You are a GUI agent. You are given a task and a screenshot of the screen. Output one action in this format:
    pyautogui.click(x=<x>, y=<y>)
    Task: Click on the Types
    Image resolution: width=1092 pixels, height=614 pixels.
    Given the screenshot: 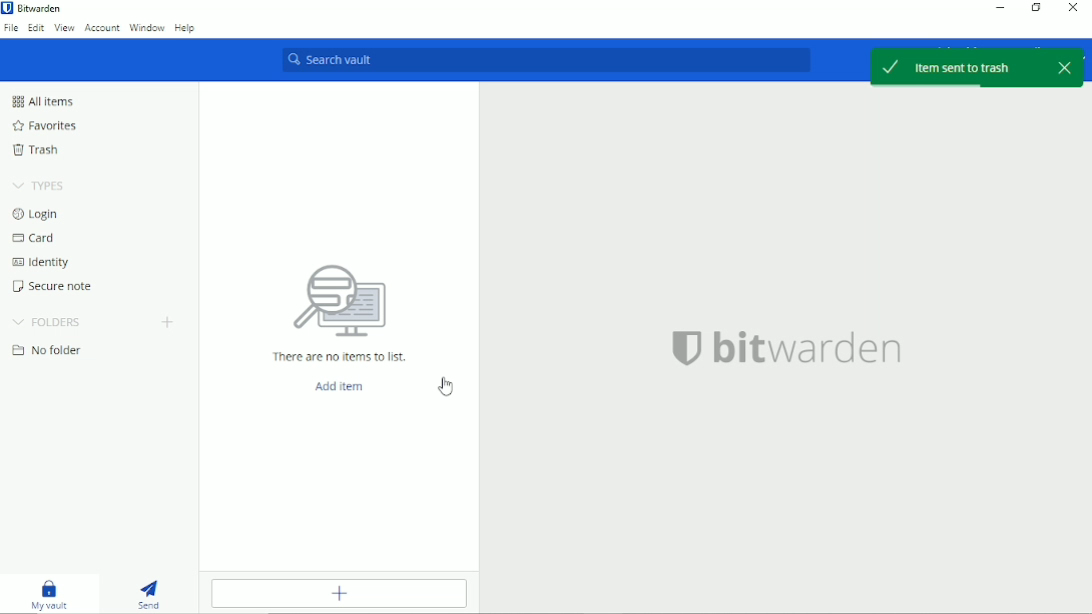 What is the action you would take?
    pyautogui.click(x=39, y=185)
    